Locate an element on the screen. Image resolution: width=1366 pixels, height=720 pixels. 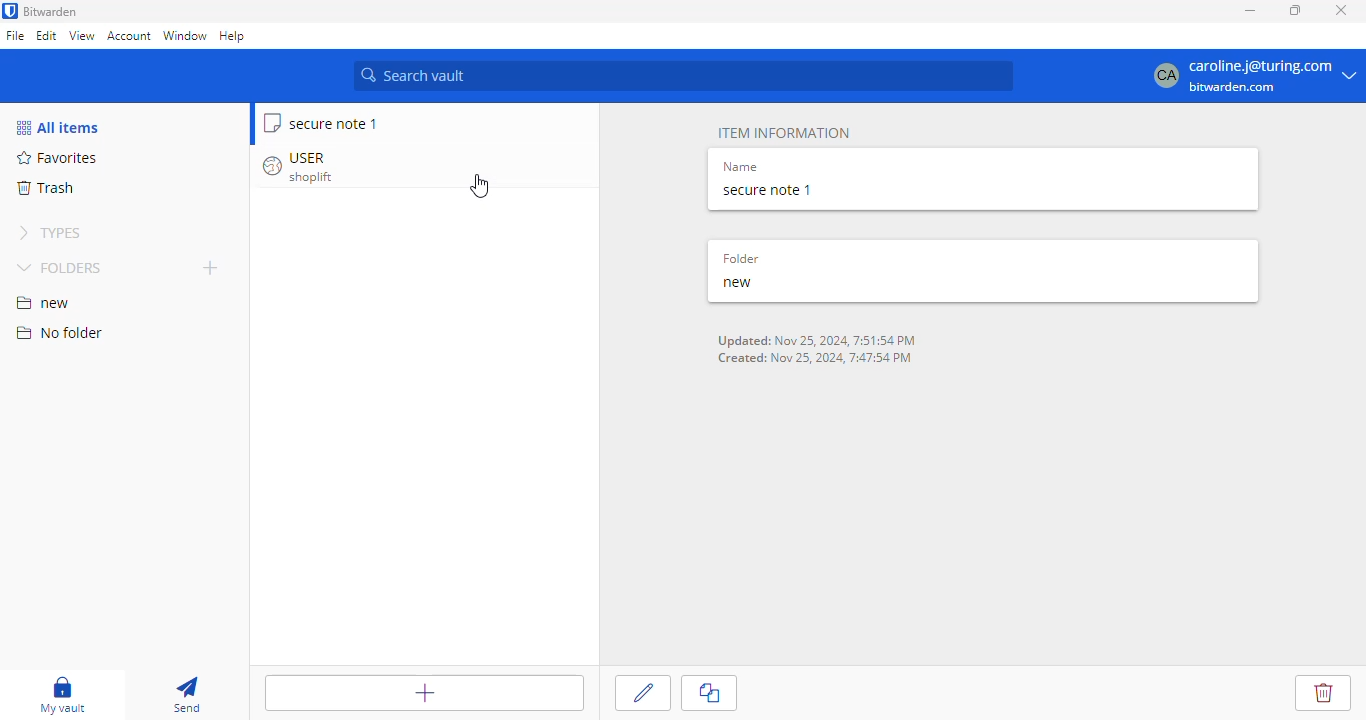
name is located at coordinates (742, 167).